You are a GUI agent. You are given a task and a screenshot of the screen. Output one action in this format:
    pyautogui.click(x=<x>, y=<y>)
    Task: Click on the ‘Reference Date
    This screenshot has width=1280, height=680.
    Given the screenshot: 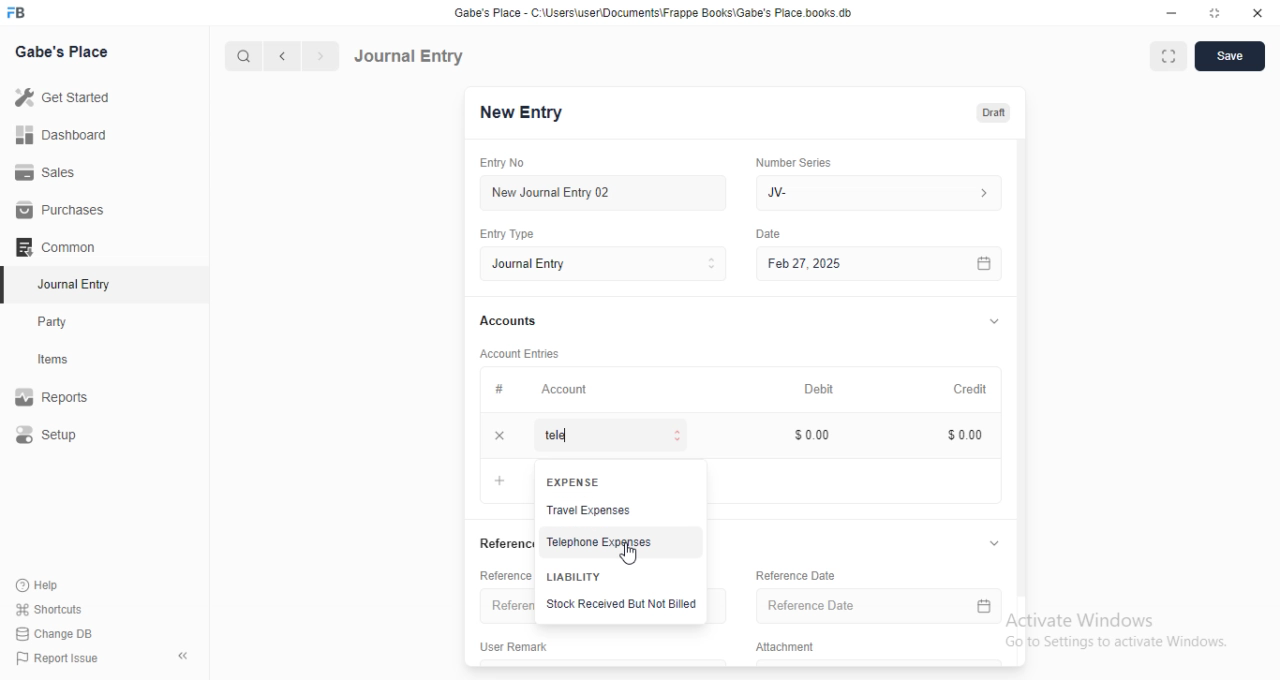 What is the action you would take?
    pyautogui.click(x=788, y=576)
    